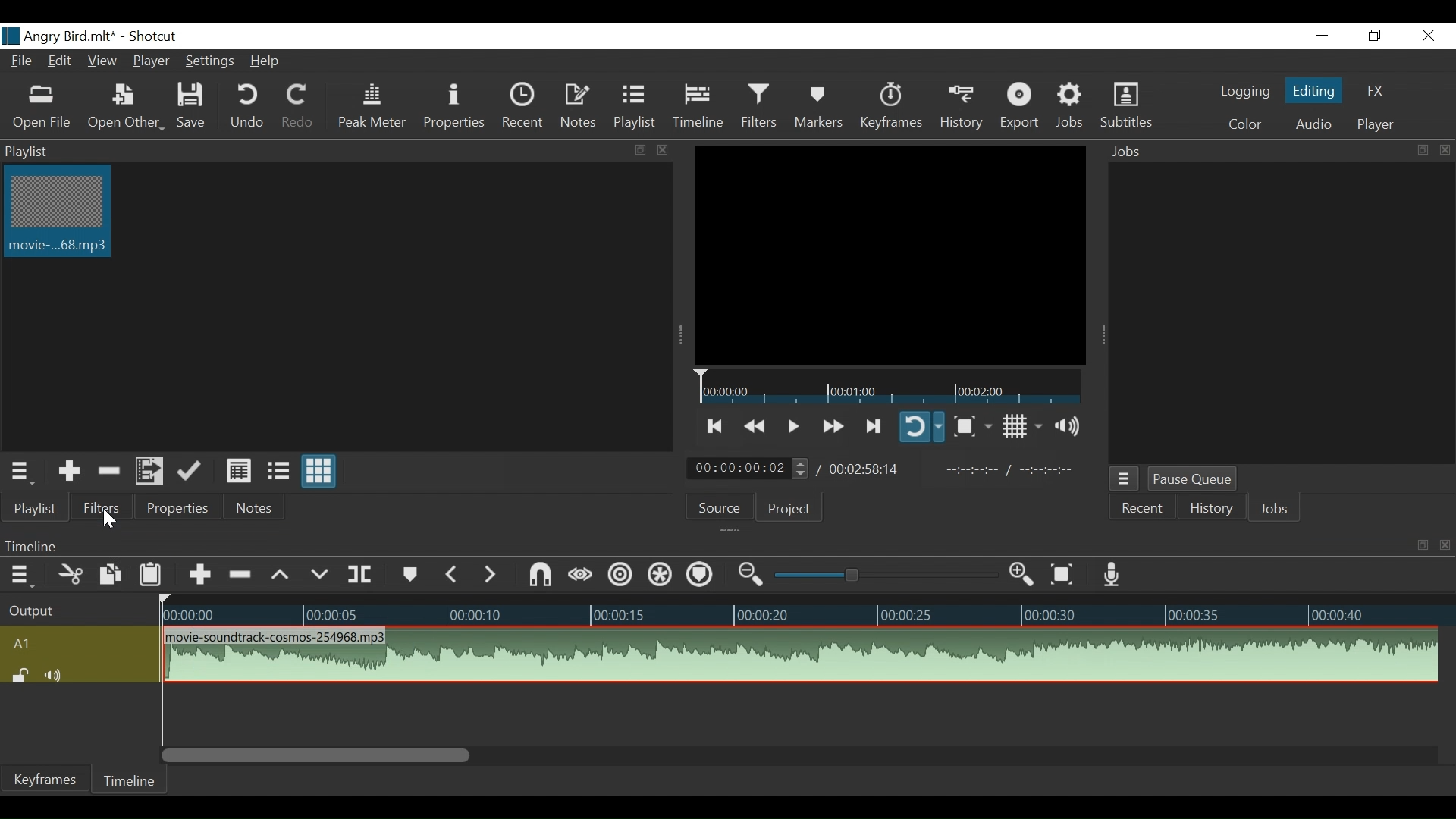 The height and width of the screenshot is (819, 1456). I want to click on Edit, so click(61, 63).